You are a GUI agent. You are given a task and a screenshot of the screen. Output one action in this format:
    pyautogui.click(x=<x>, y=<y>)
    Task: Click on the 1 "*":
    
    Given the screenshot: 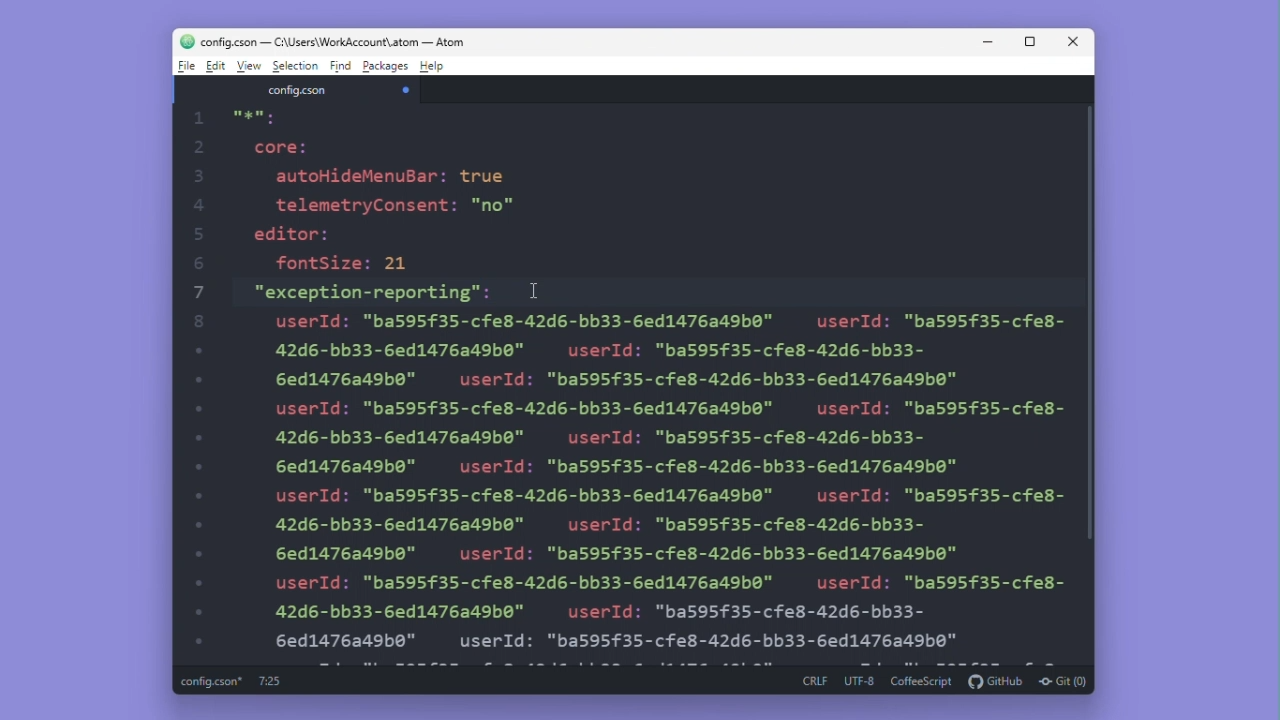 What is the action you would take?
    pyautogui.click(x=243, y=118)
    